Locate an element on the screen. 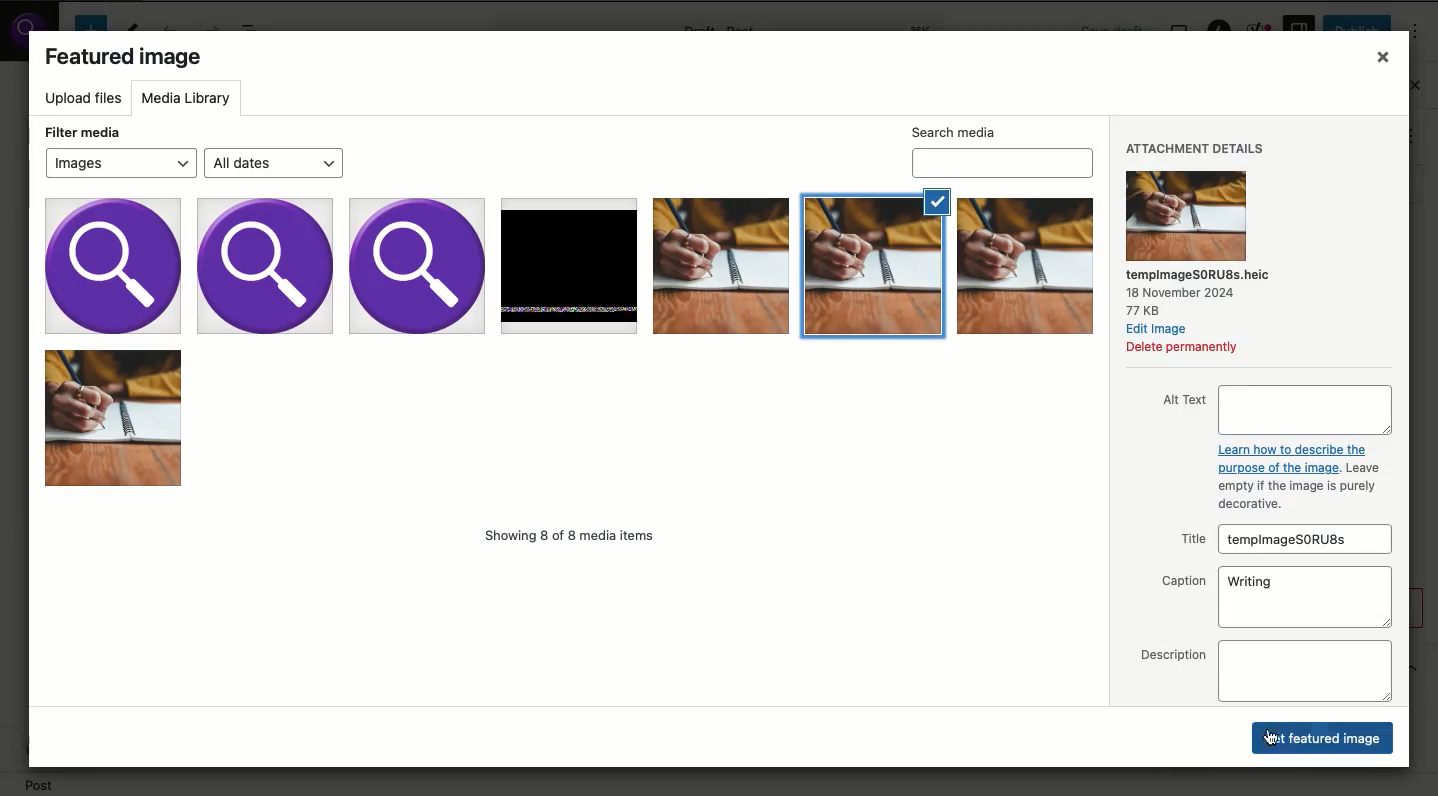 The width and height of the screenshot is (1438, 796). link is located at coordinates (1279, 469).